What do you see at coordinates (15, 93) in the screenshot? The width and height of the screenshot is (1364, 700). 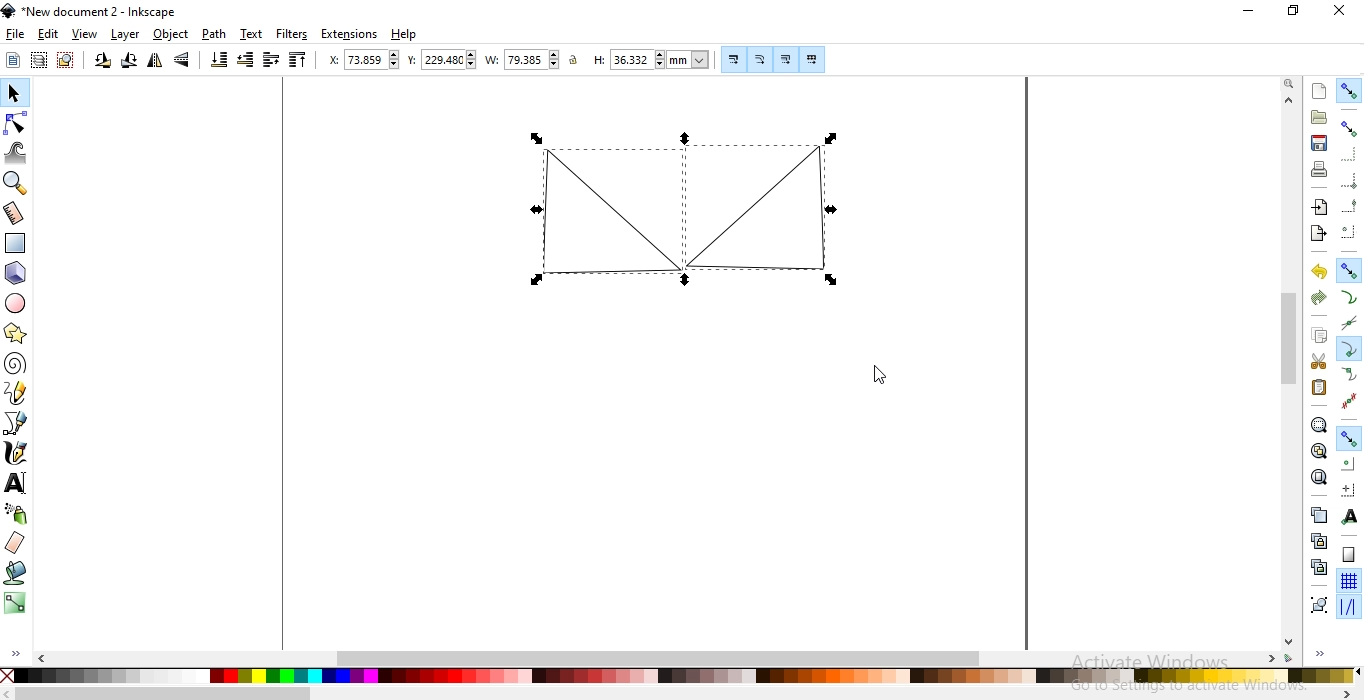 I see `select and transform objects` at bounding box center [15, 93].